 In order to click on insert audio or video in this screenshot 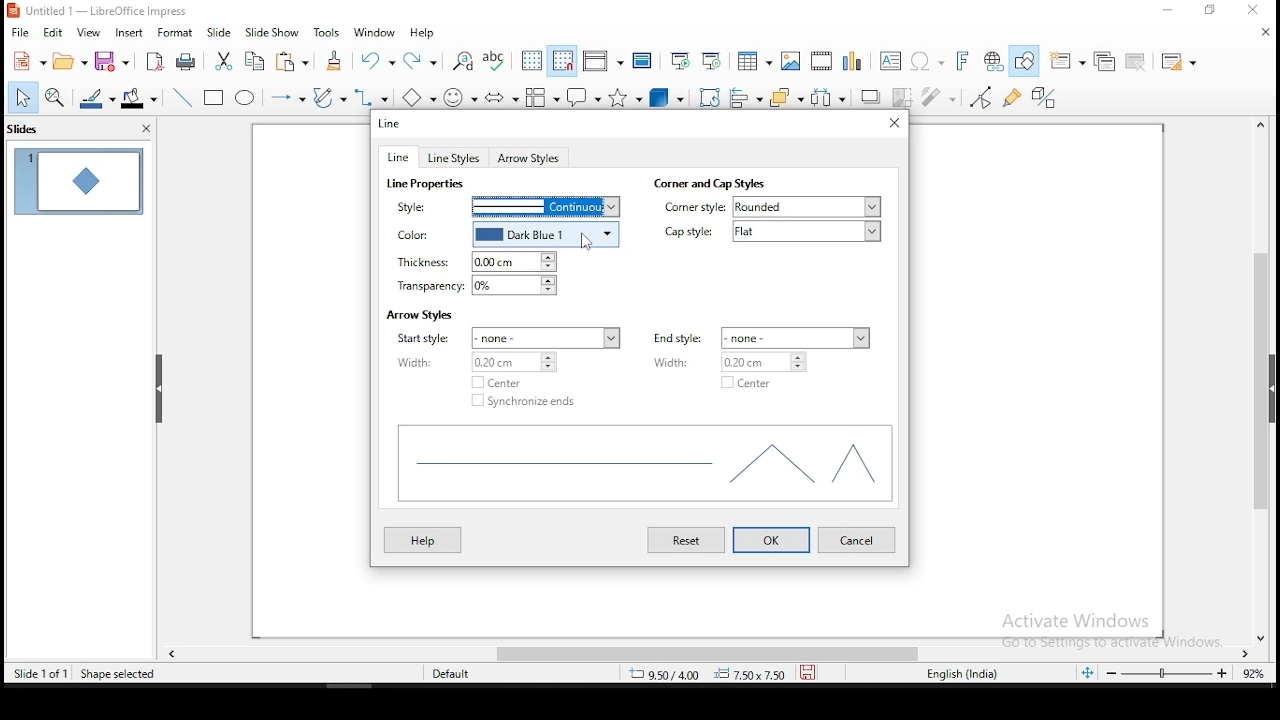, I will do `click(824, 59)`.